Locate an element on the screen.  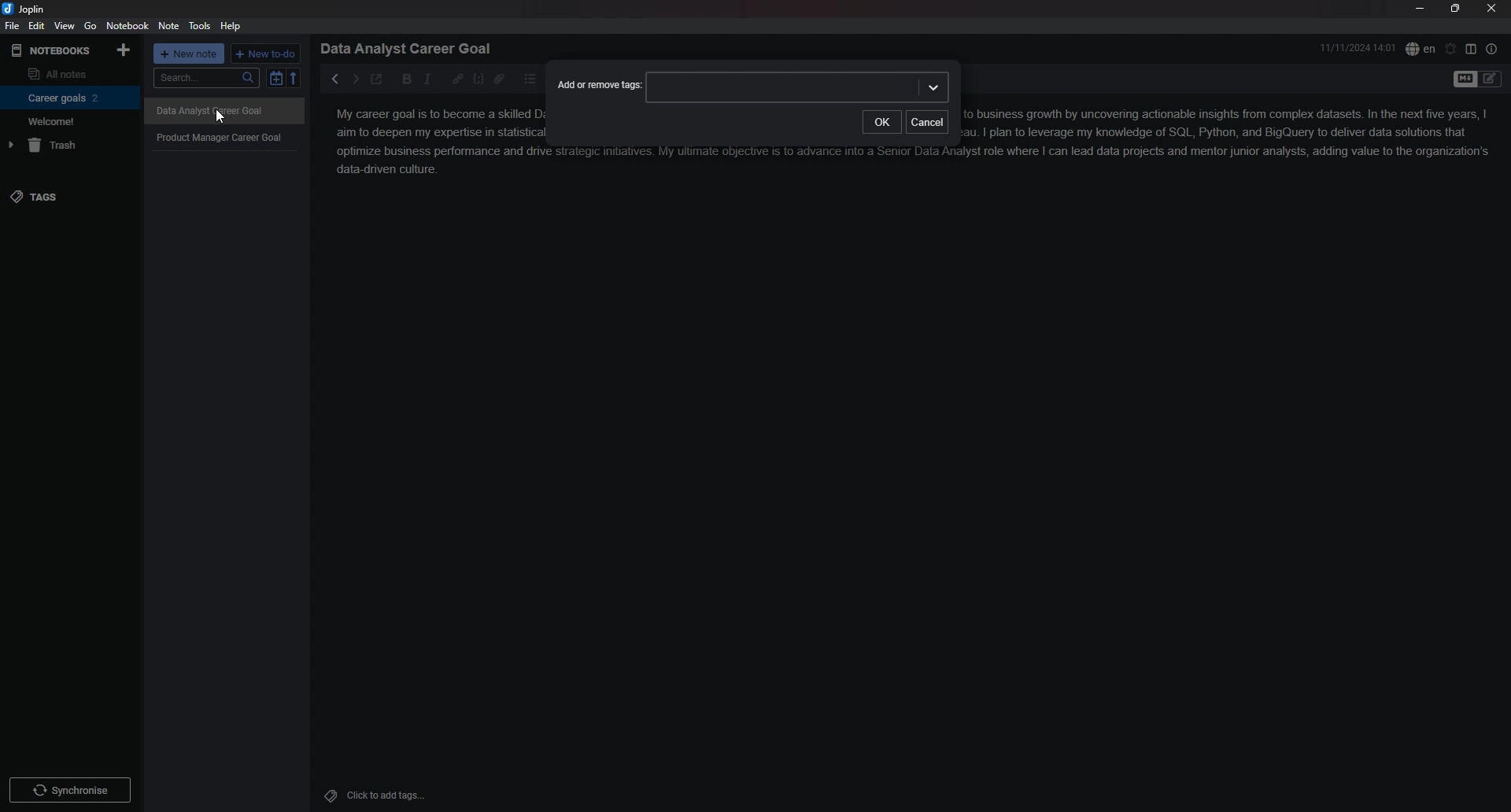
note is located at coordinates (170, 25).